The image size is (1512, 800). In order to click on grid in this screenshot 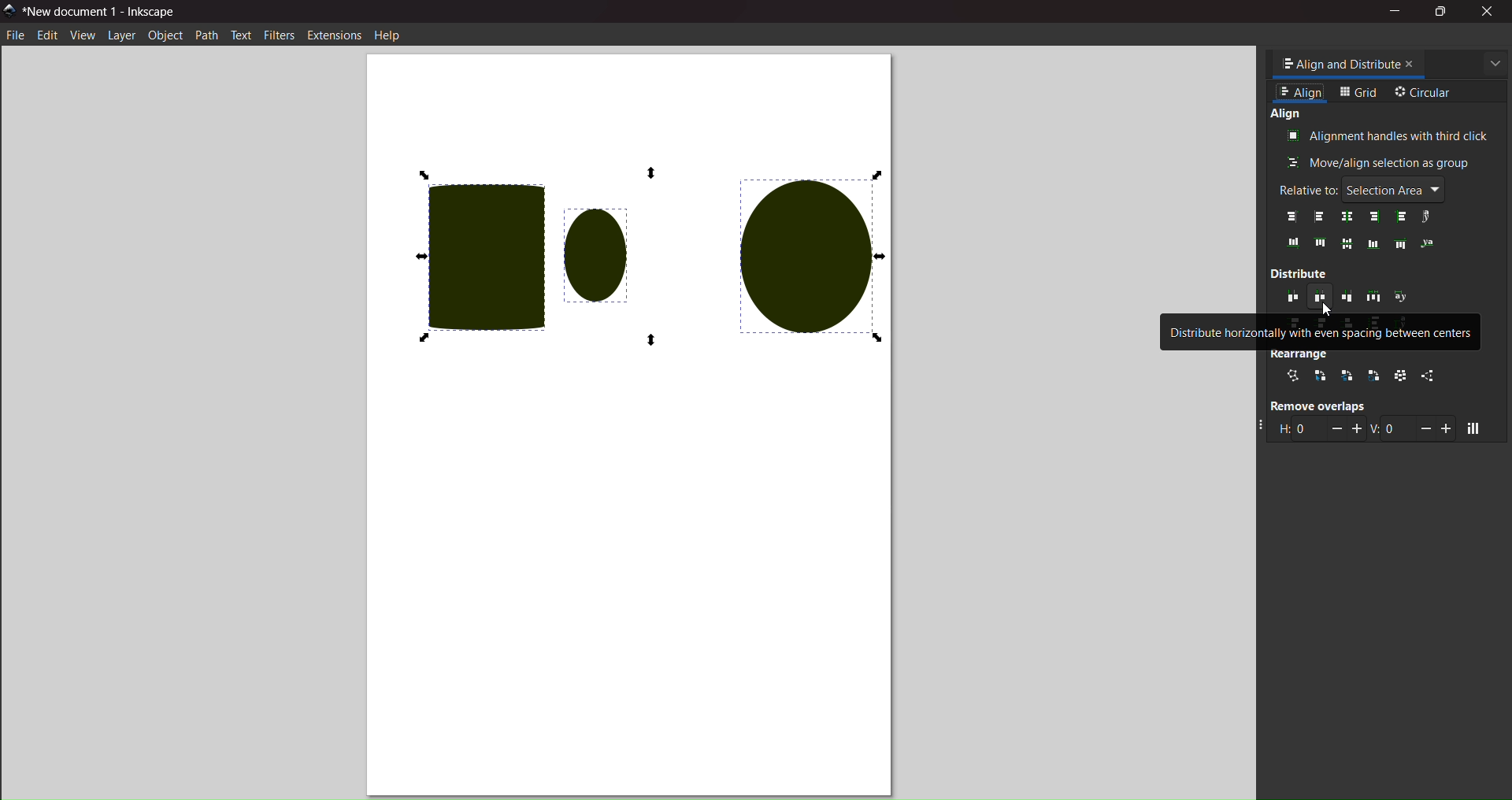, I will do `click(1358, 92)`.